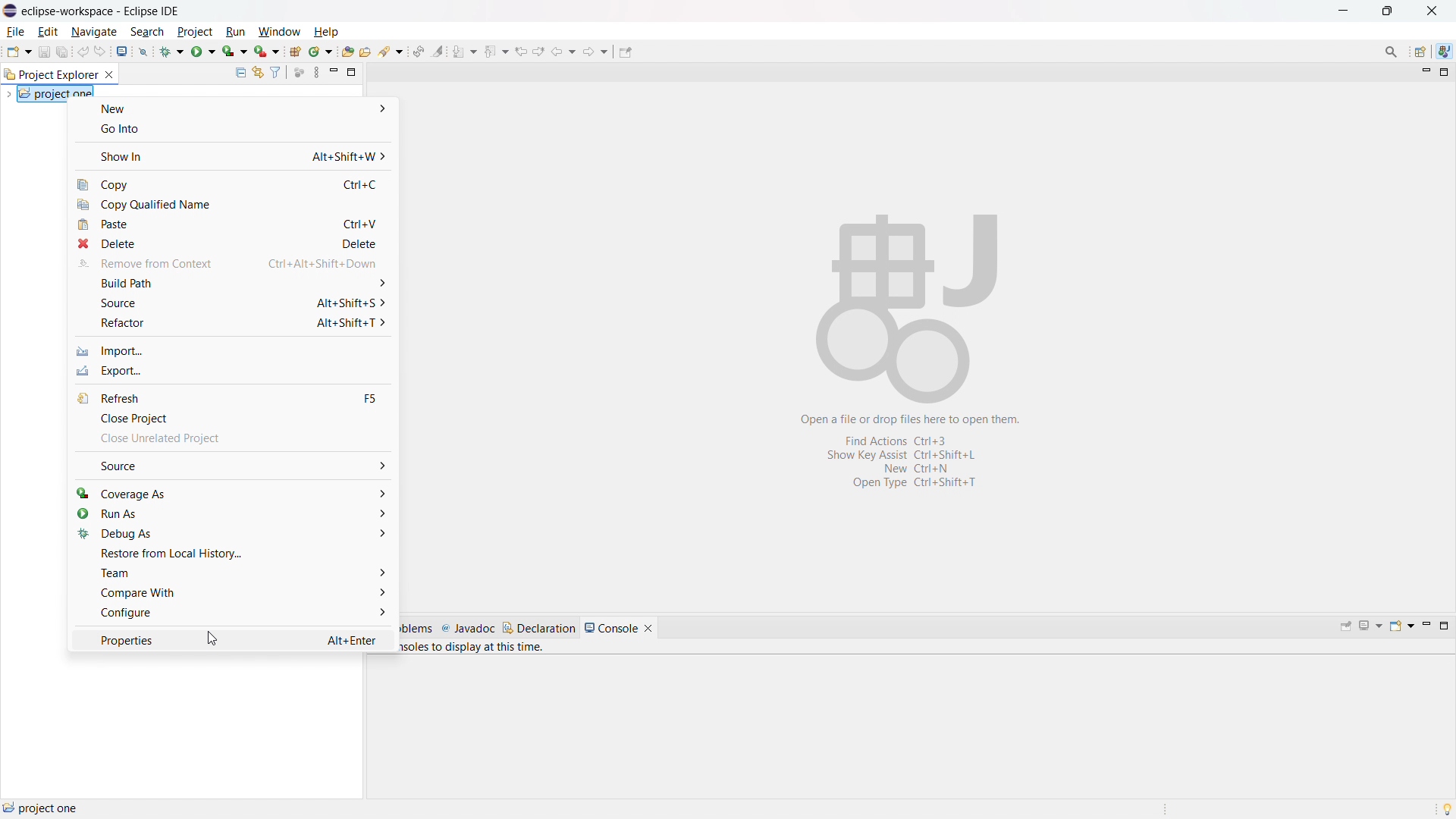 This screenshot has width=1456, height=819. I want to click on properties, so click(232, 639).